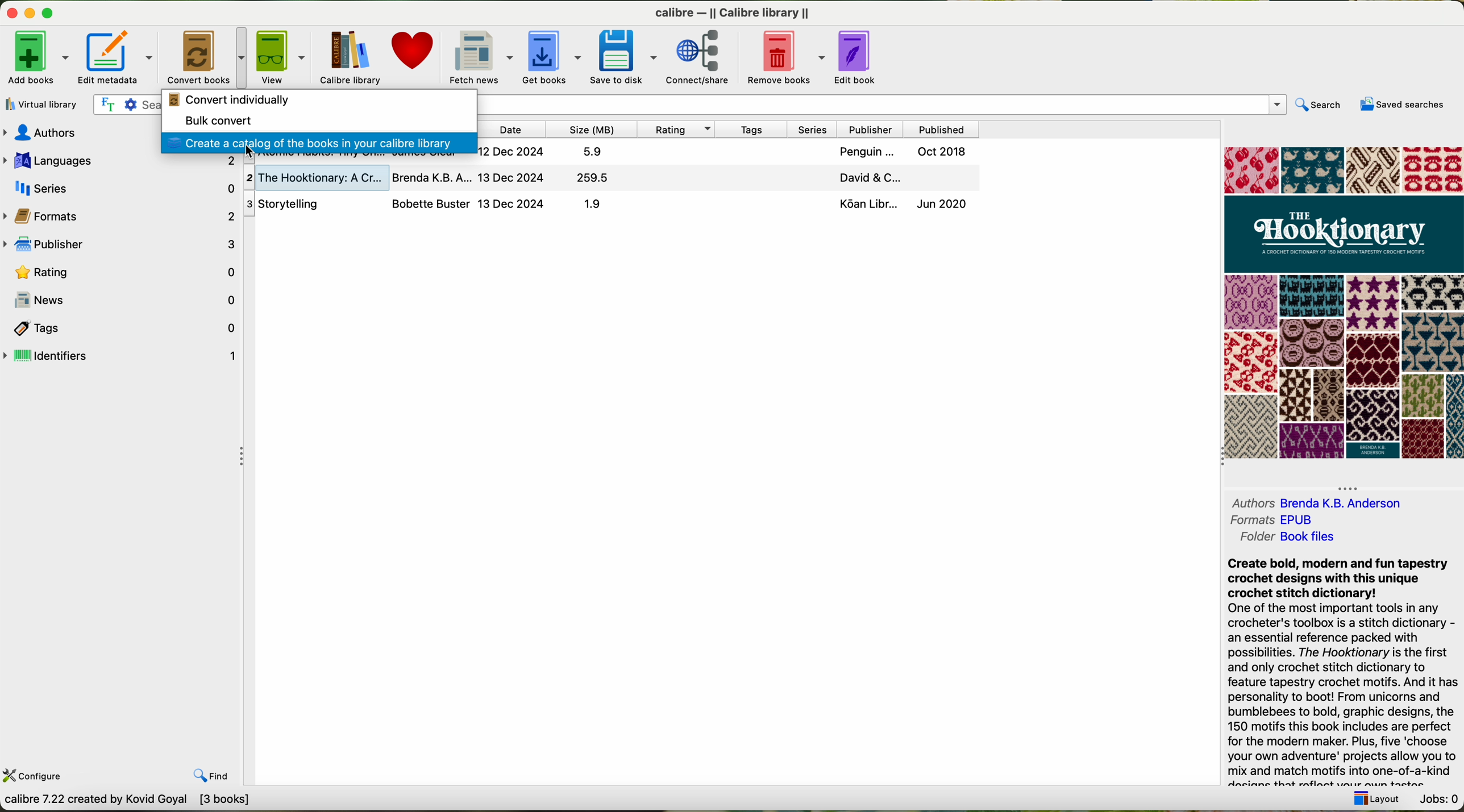  What do you see at coordinates (121, 162) in the screenshot?
I see `languages` at bounding box center [121, 162].